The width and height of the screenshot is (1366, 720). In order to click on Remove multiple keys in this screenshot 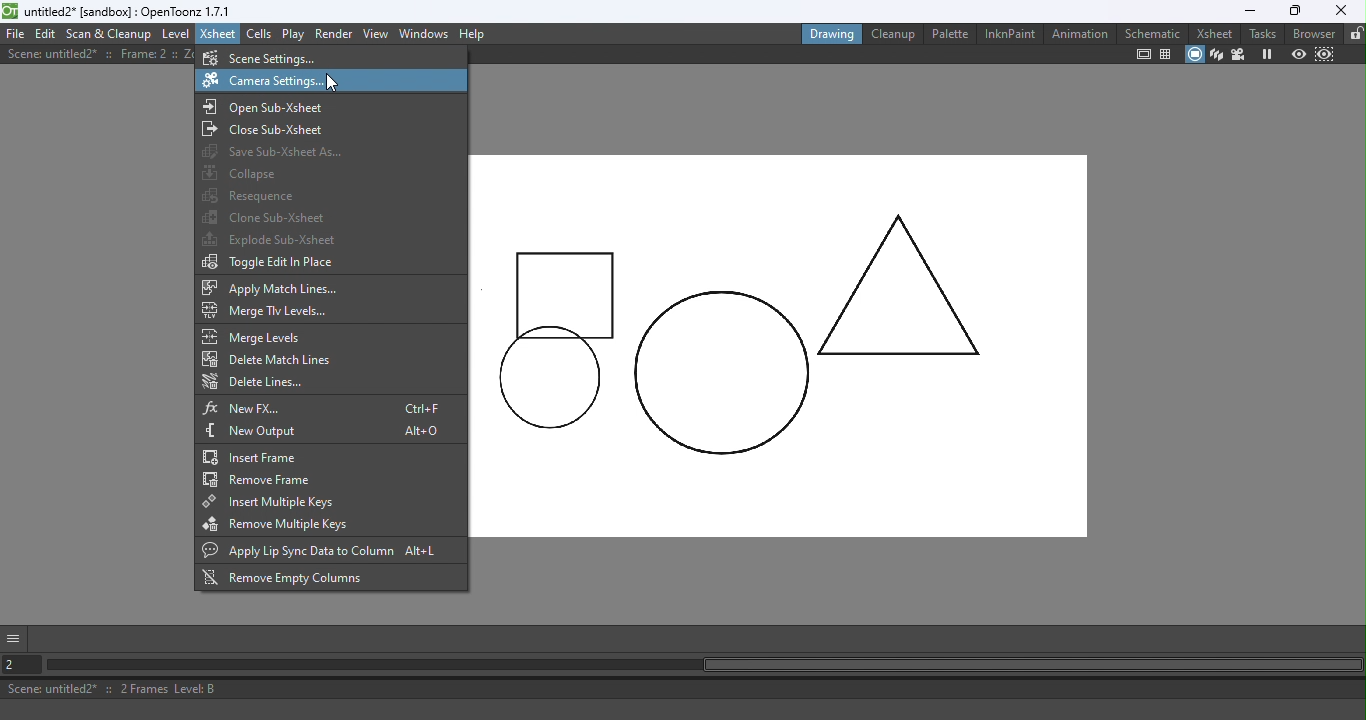, I will do `click(281, 526)`.